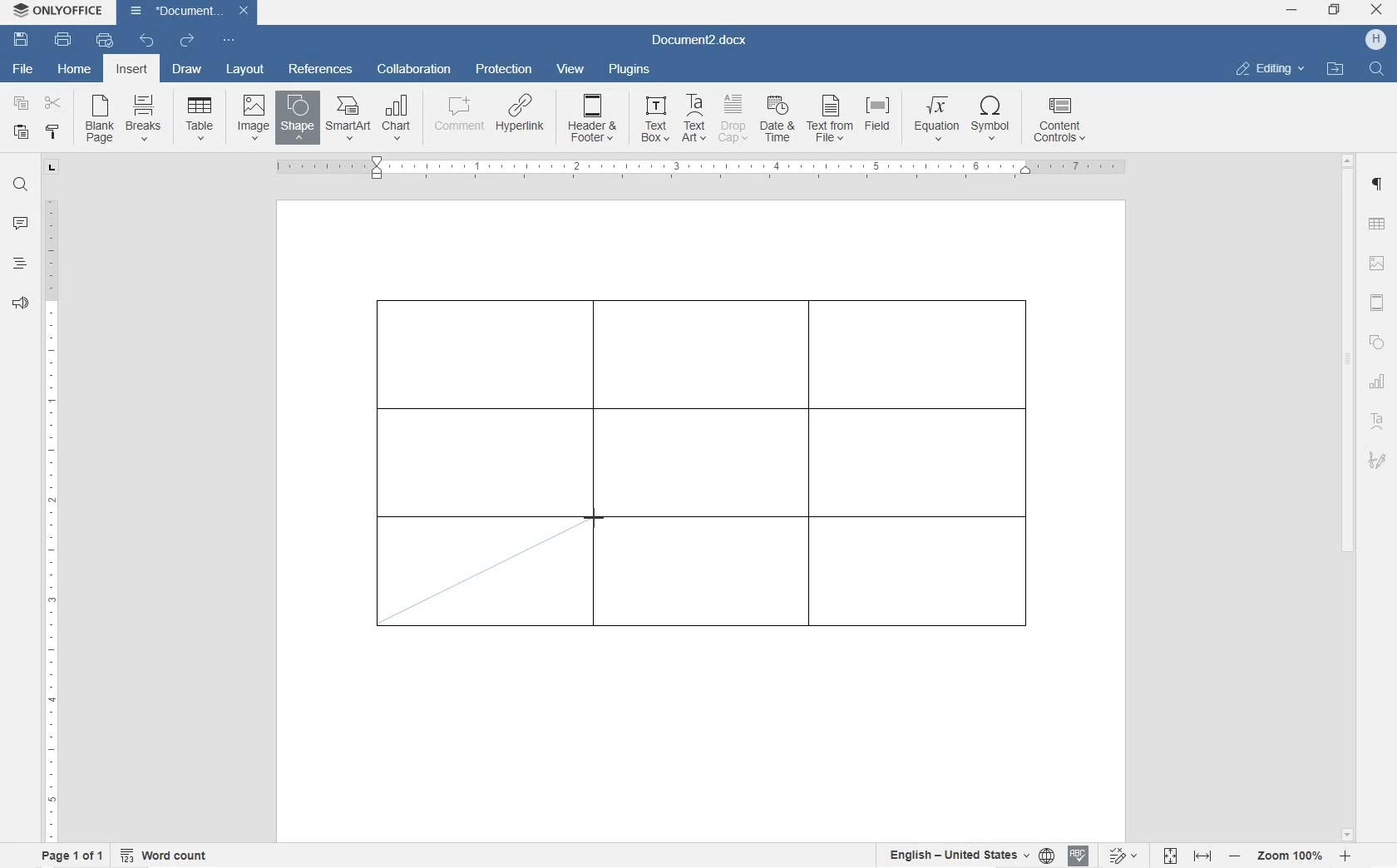  What do you see at coordinates (482, 570) in the screenshot?
I see `drawing diagonal line border` at bounding box center [482, 570].